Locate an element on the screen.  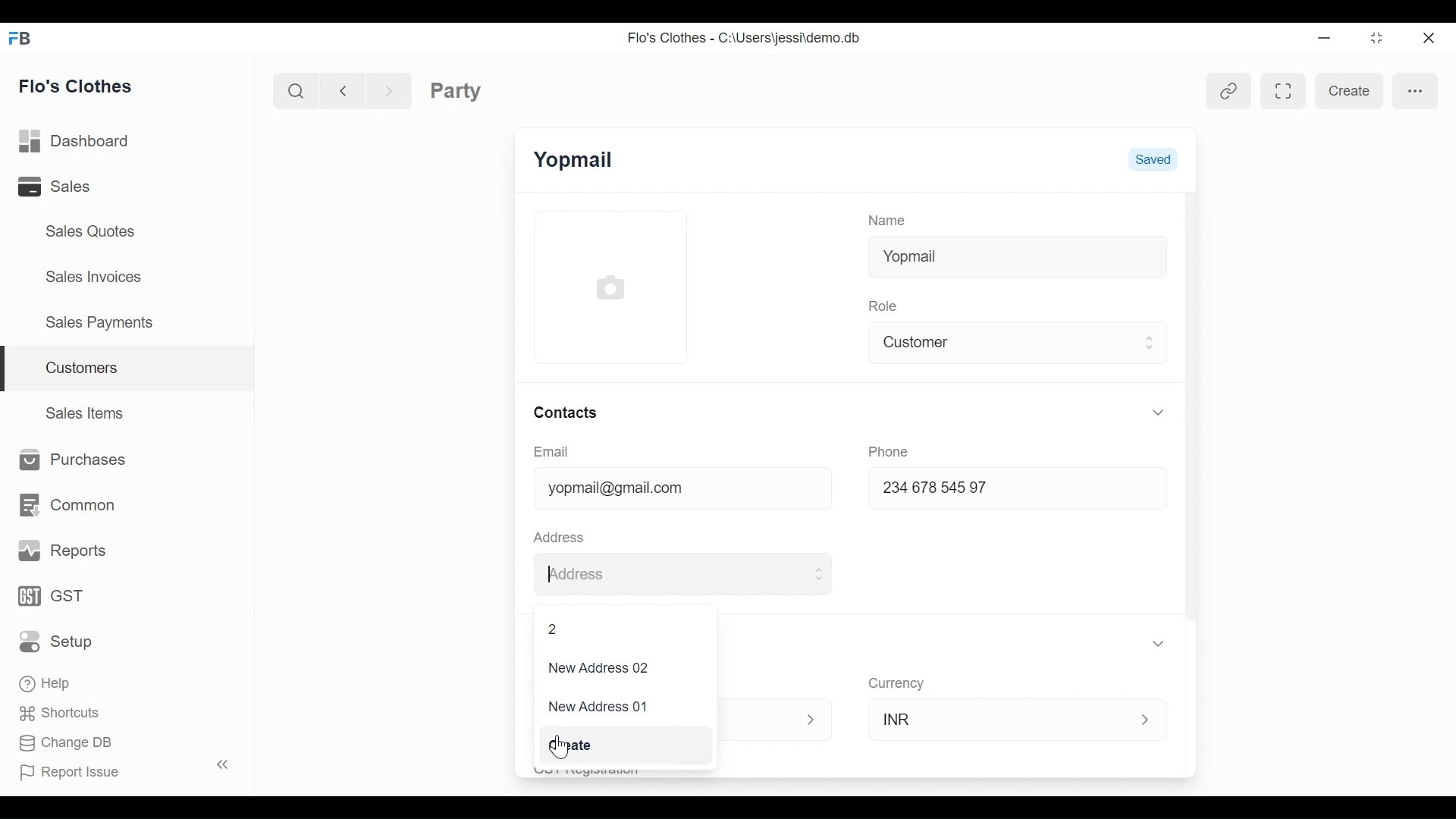
yopmail@gmail.com is located at coordinates (660, 488).